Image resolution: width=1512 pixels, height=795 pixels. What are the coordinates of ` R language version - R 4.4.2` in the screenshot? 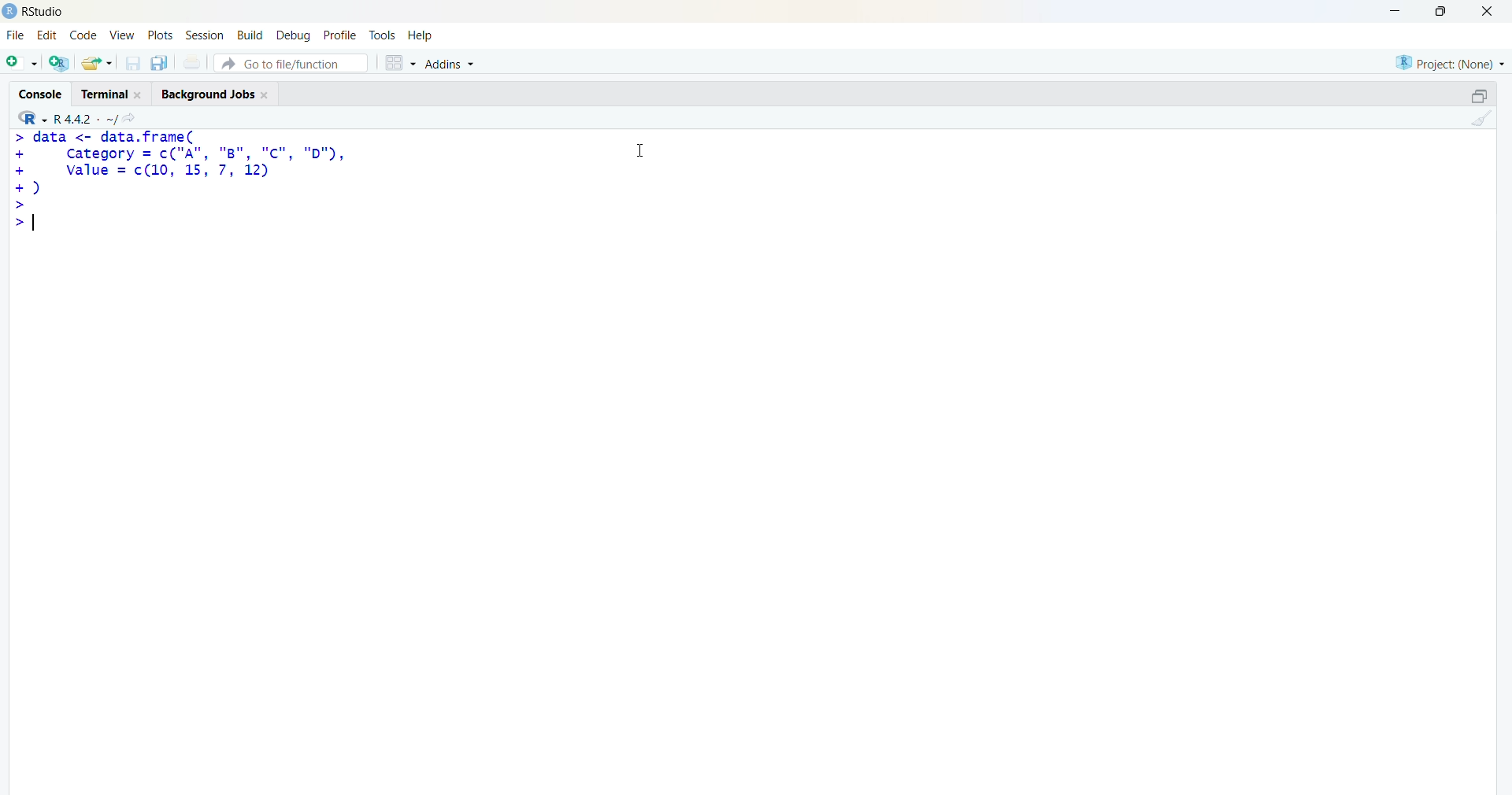 It's located at (85, 117).